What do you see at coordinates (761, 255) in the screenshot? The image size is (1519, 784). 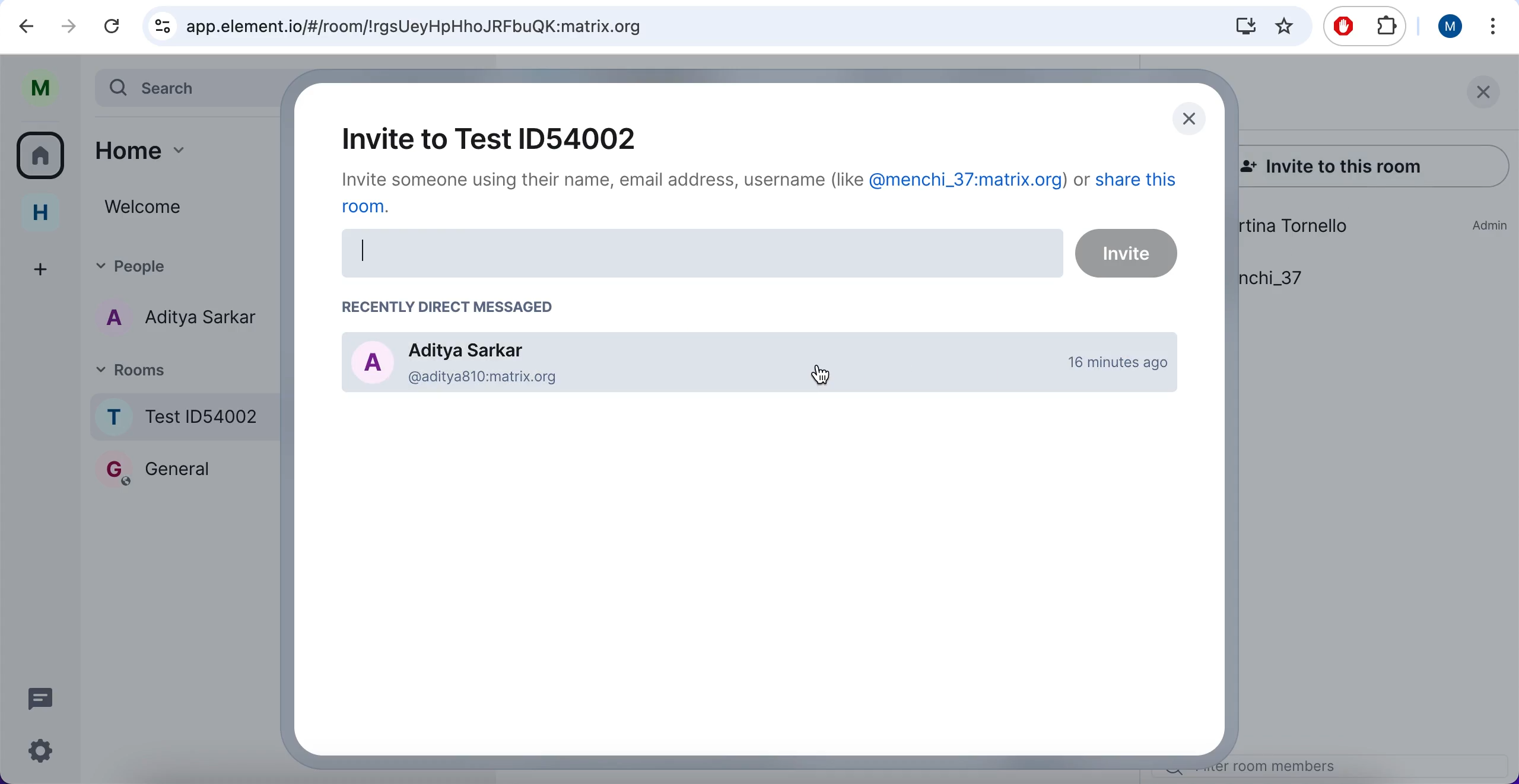 I see `invite` at bounding box center [761, 255].